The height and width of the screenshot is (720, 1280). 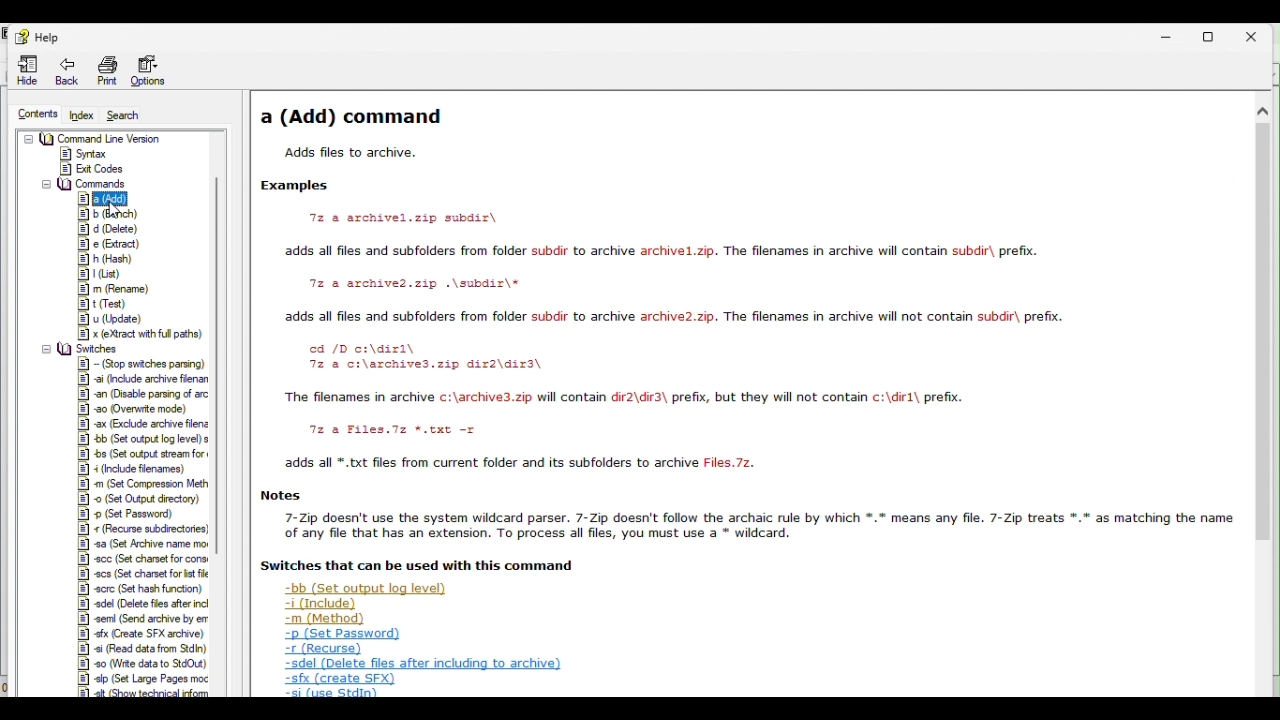 I want to click on -an, so click(x=148, y=394).